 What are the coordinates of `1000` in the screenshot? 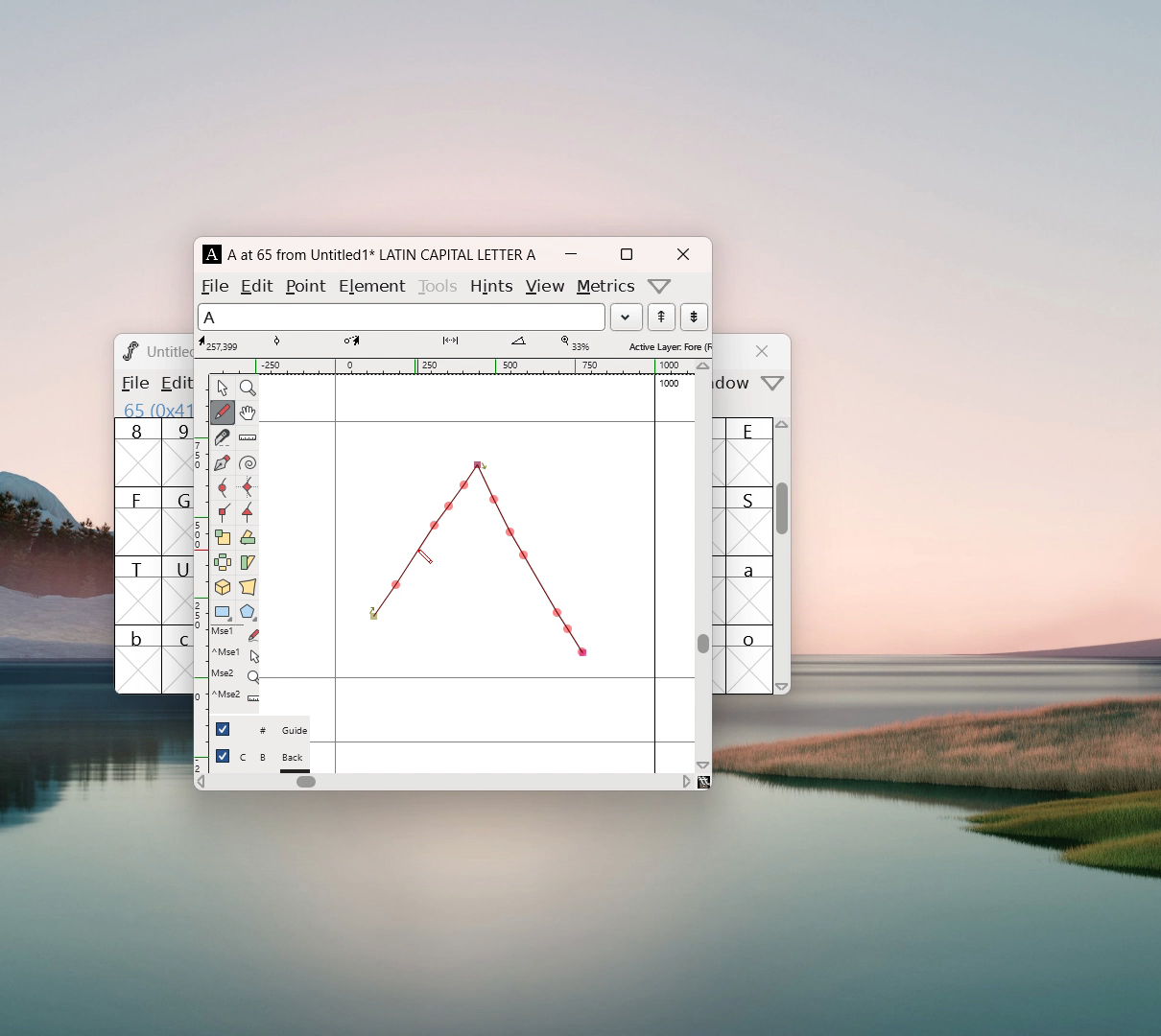 It's located at (672, 384).